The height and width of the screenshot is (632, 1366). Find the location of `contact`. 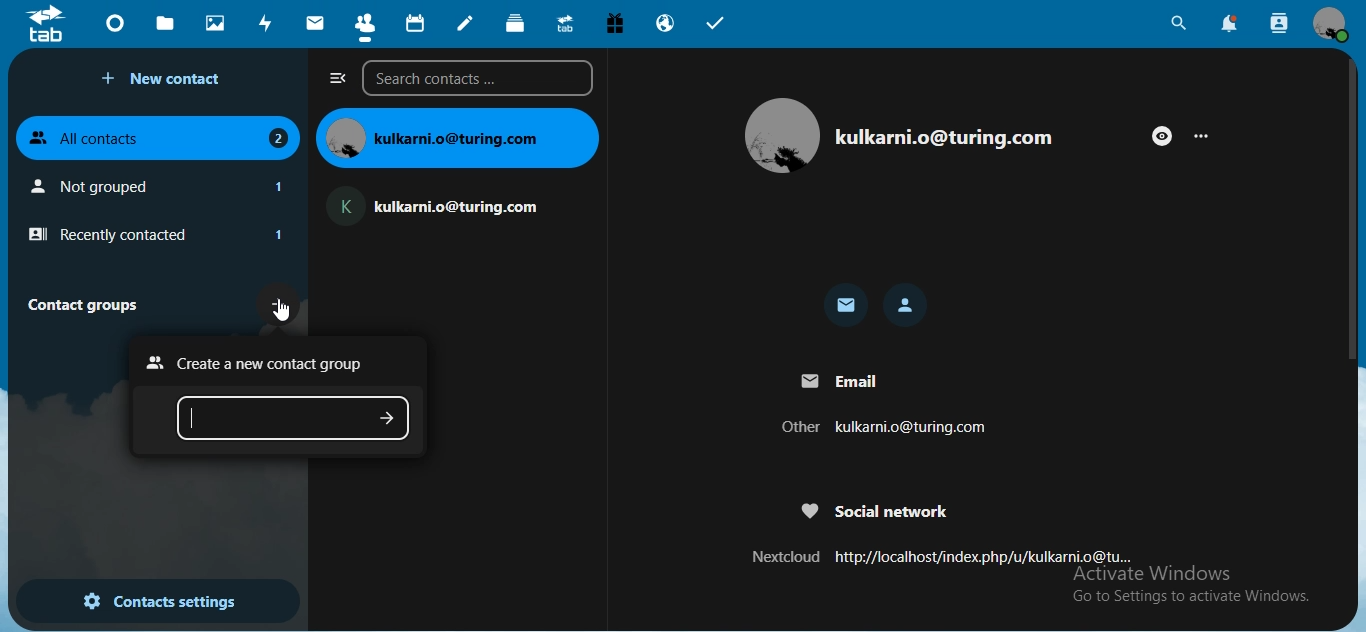

contact is located at coordinates (907, 305).